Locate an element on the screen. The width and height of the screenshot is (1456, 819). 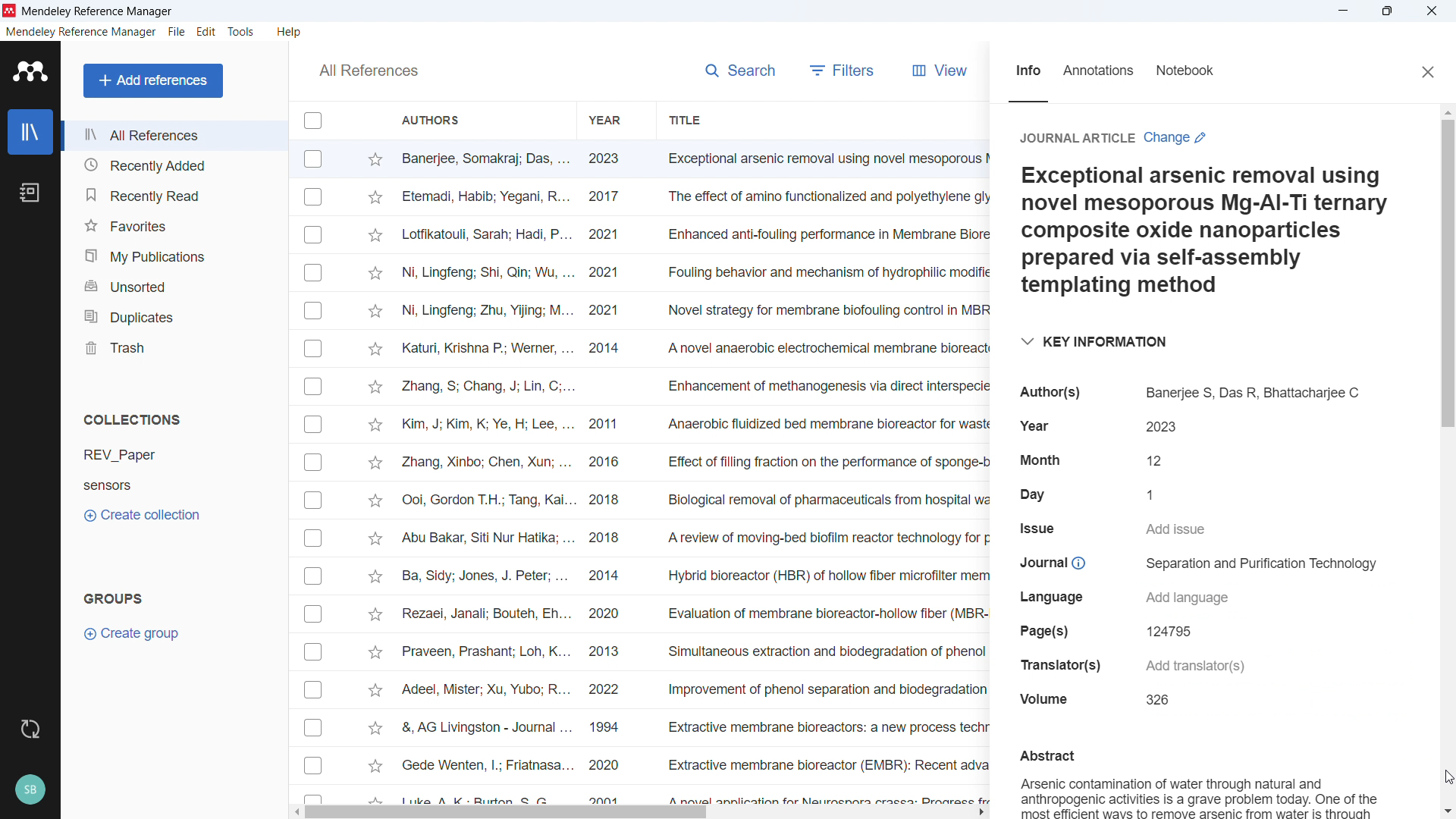
ba,stdy,jones,j peter is located at coordinates (481, 578).